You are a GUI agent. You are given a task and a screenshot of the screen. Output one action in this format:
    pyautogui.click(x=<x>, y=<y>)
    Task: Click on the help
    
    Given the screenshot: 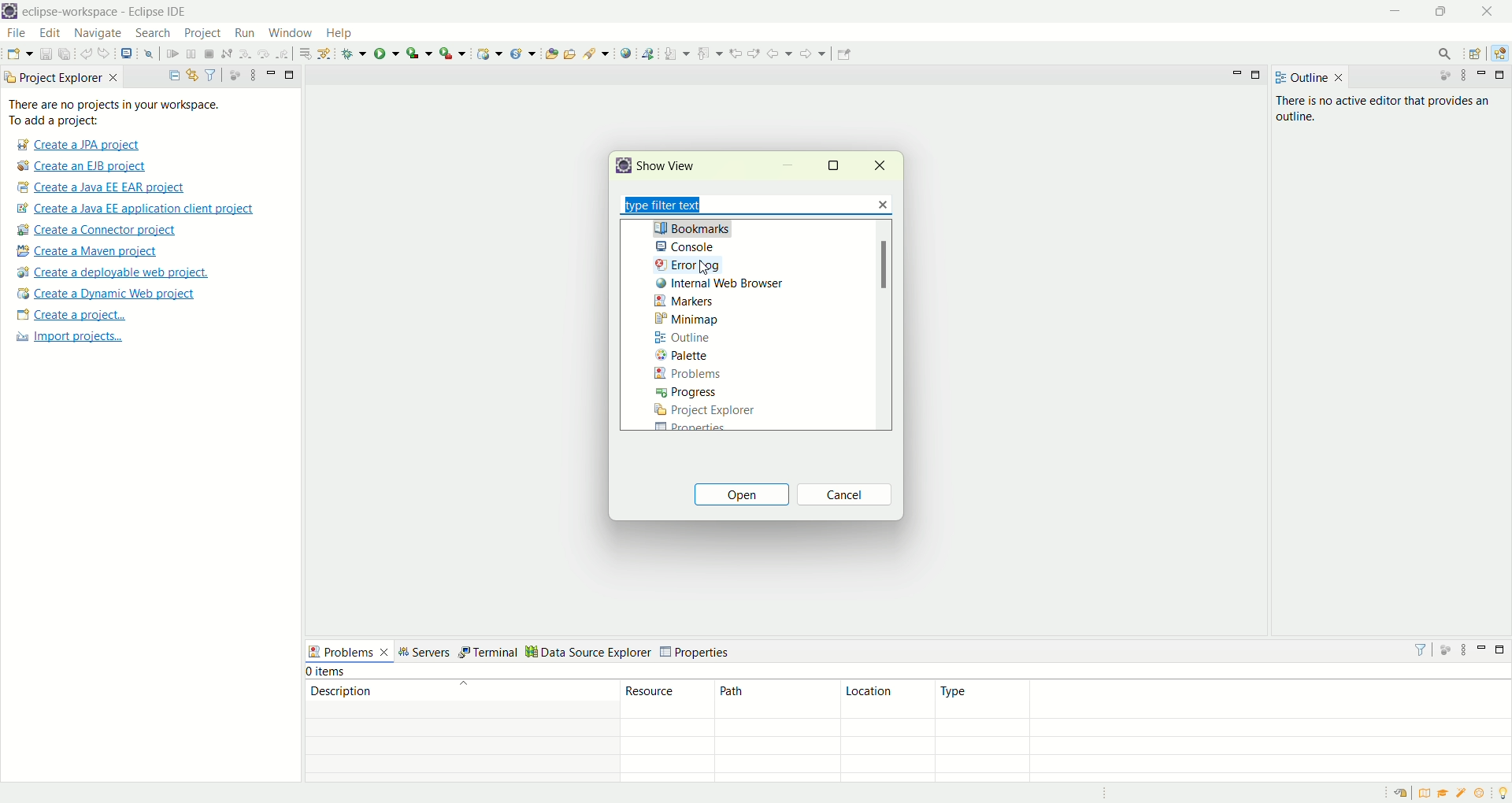 What is the action you would take?
    pyautogui.click(x=336, y=33)
    